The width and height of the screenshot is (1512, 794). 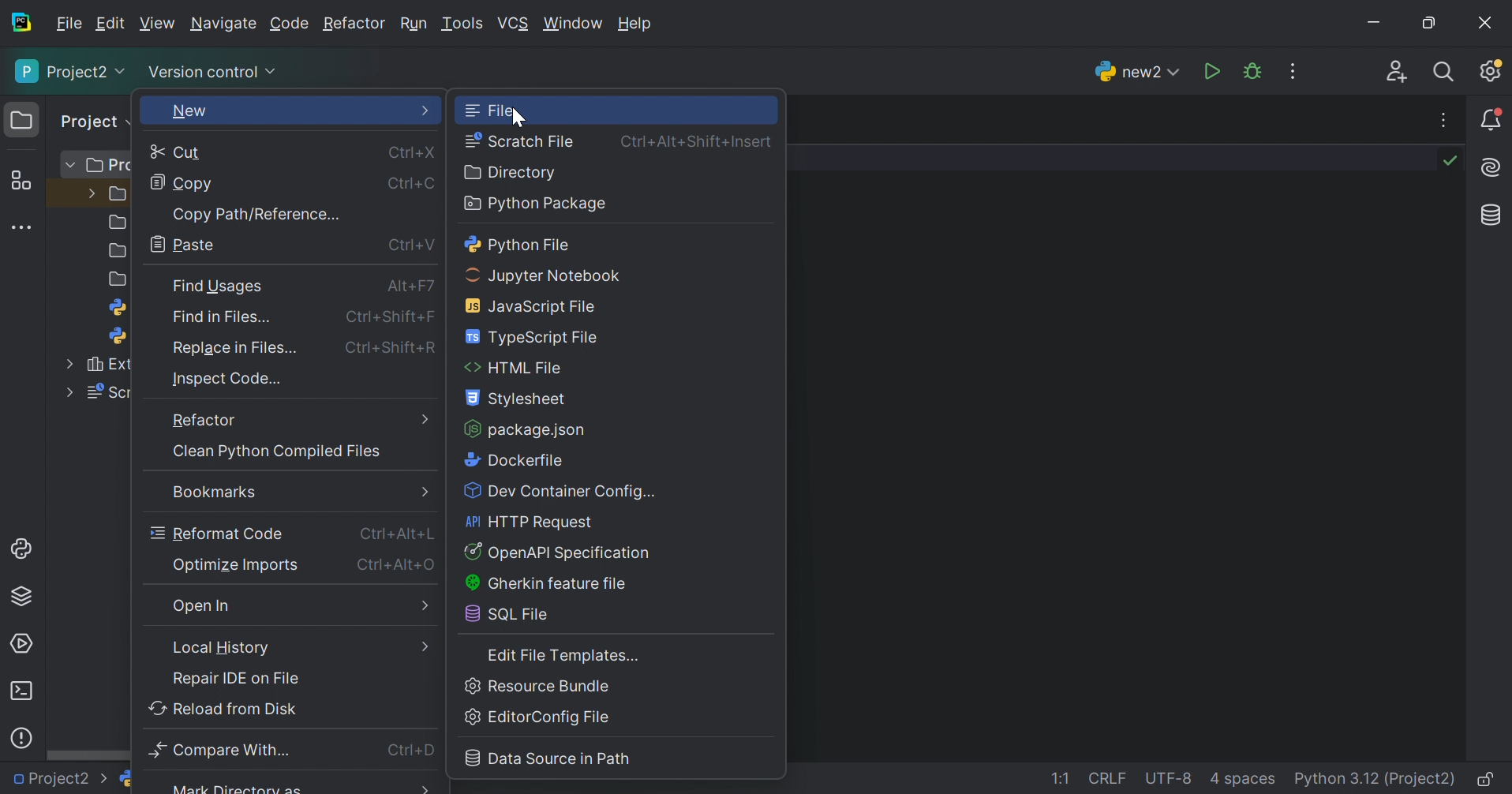 I want to click on Compare with..., so click(x=226, y=750).